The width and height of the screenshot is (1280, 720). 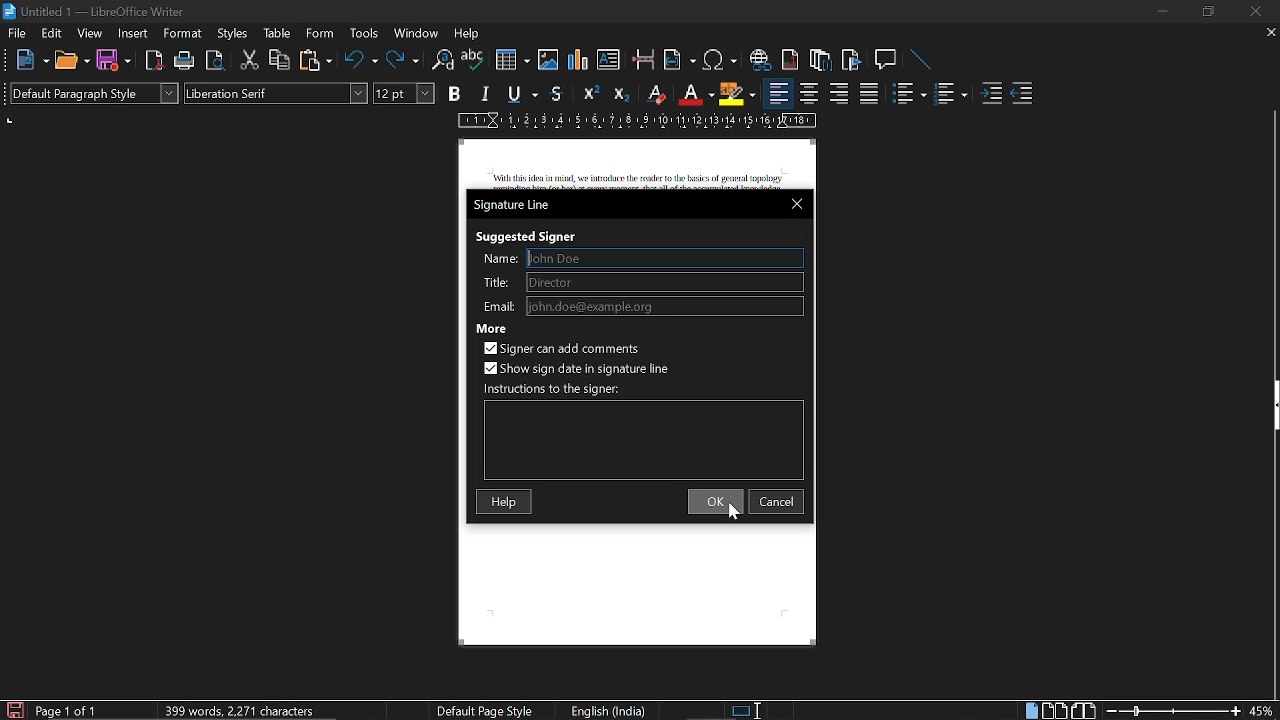 I want to click on copy, so click(x=280, y=60).